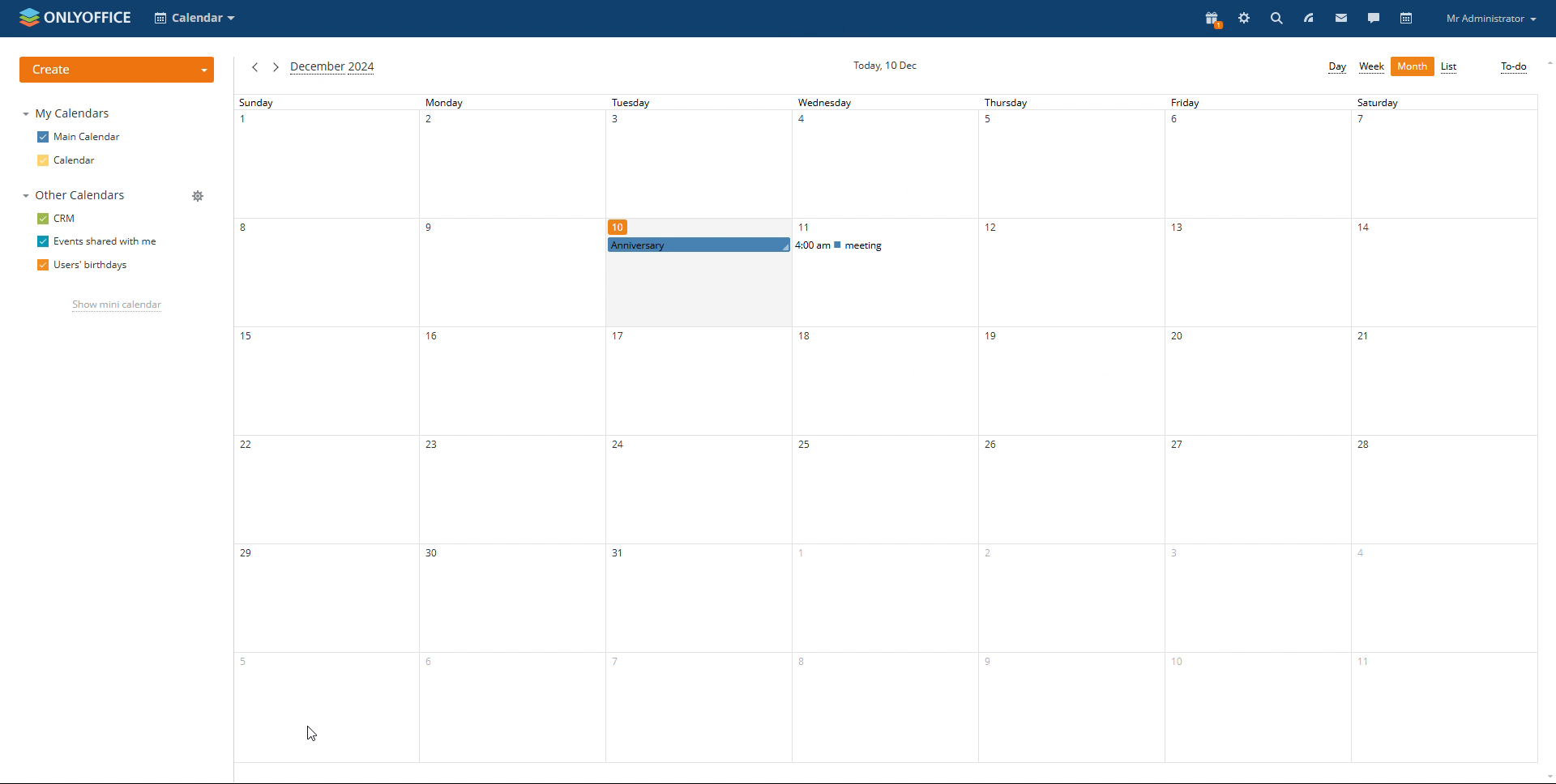 The image size is (1556, 784). I want to click on tuesday, so click(696, 518).